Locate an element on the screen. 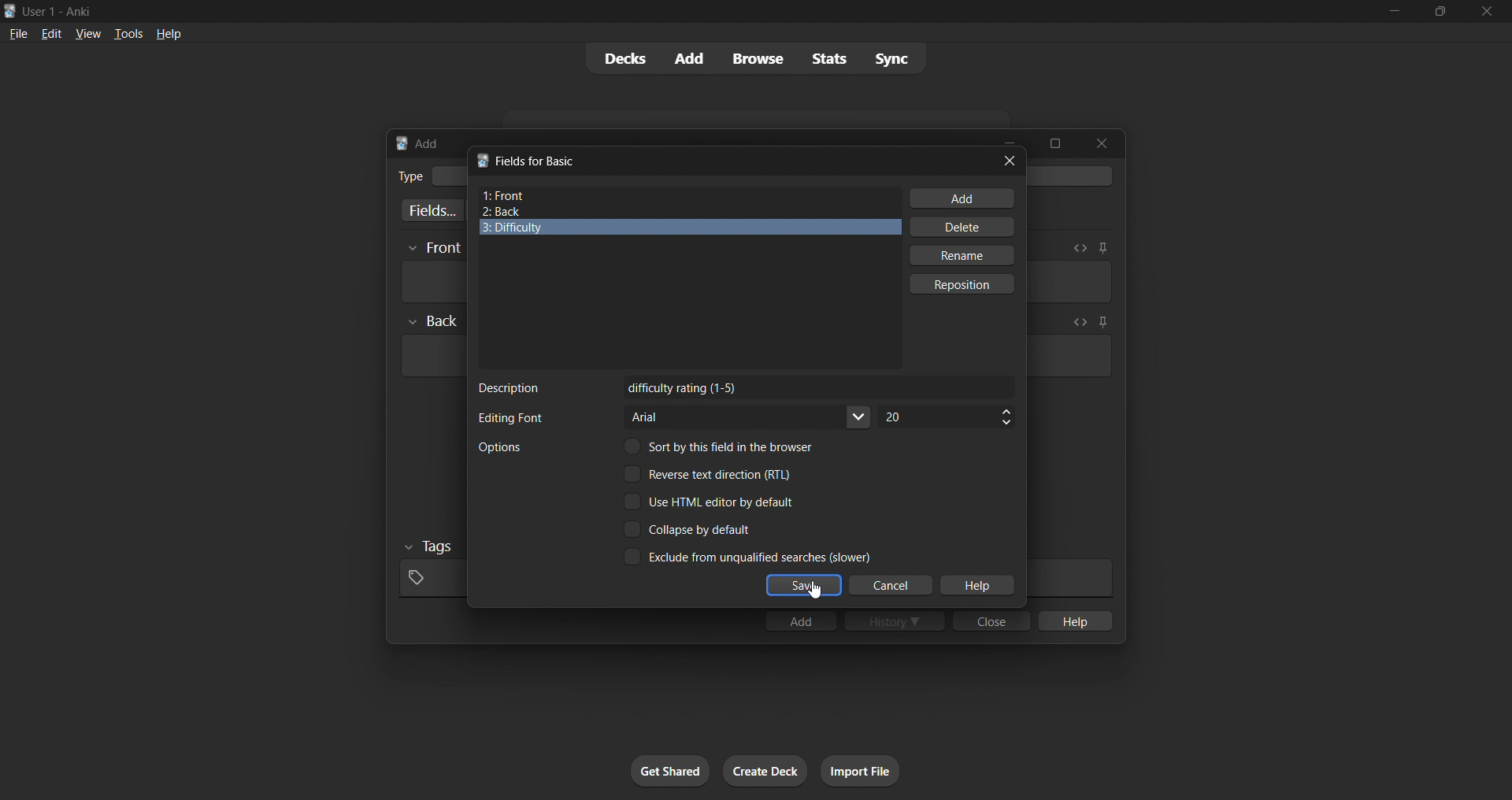  field font style is located at coordinates (749, 417).